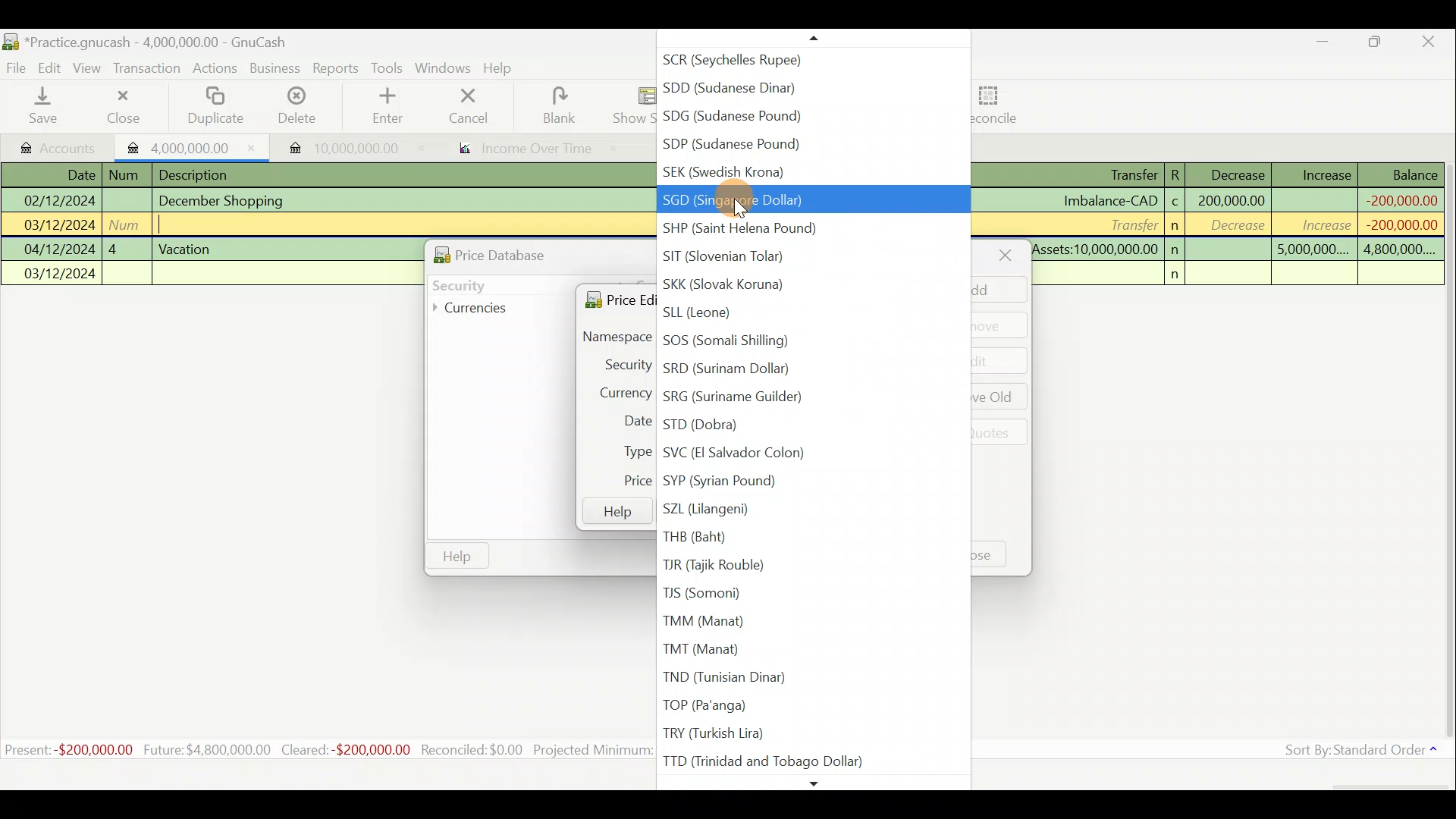 This screenshot has width=1456, height=819. I want to click on Currency, so click(617, 391).